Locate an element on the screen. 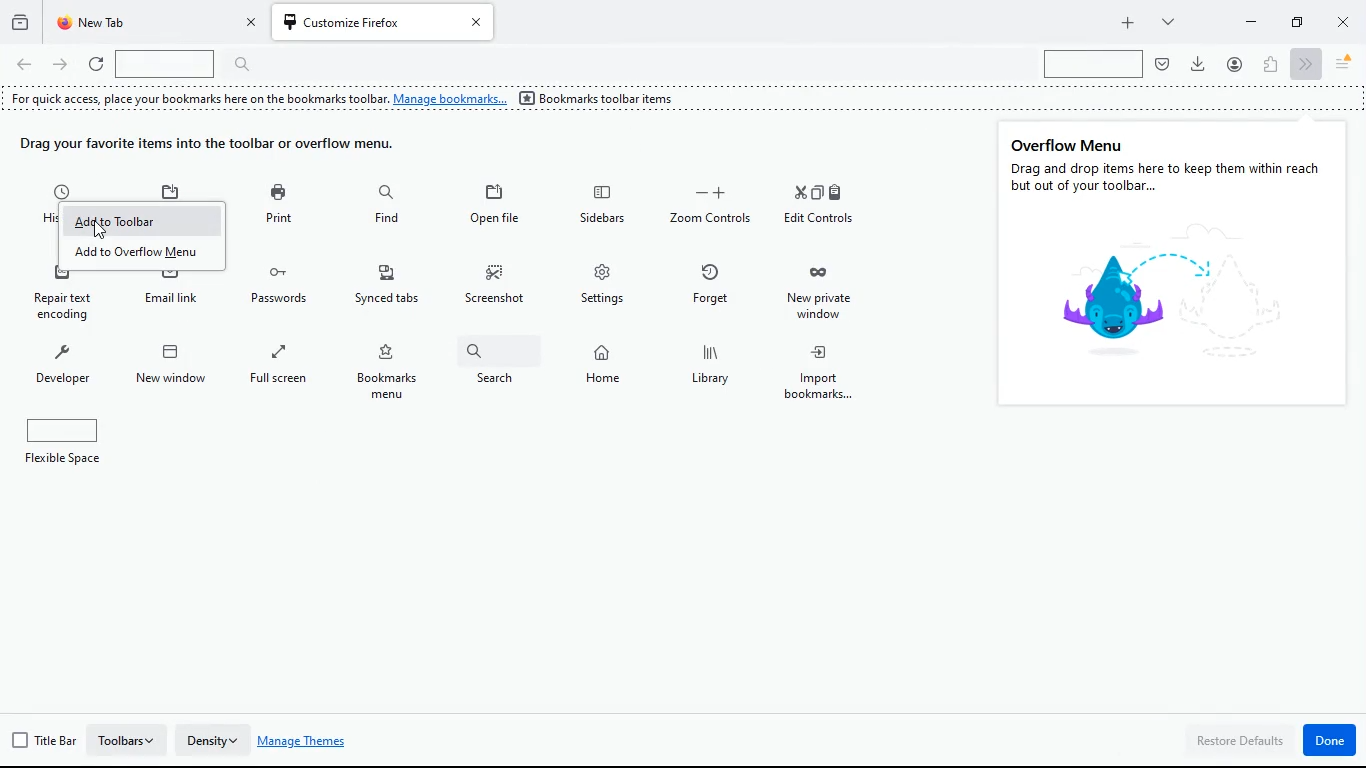 The height and width of the screenshot is (768, 1366). search is located at coordinates (496, 370).